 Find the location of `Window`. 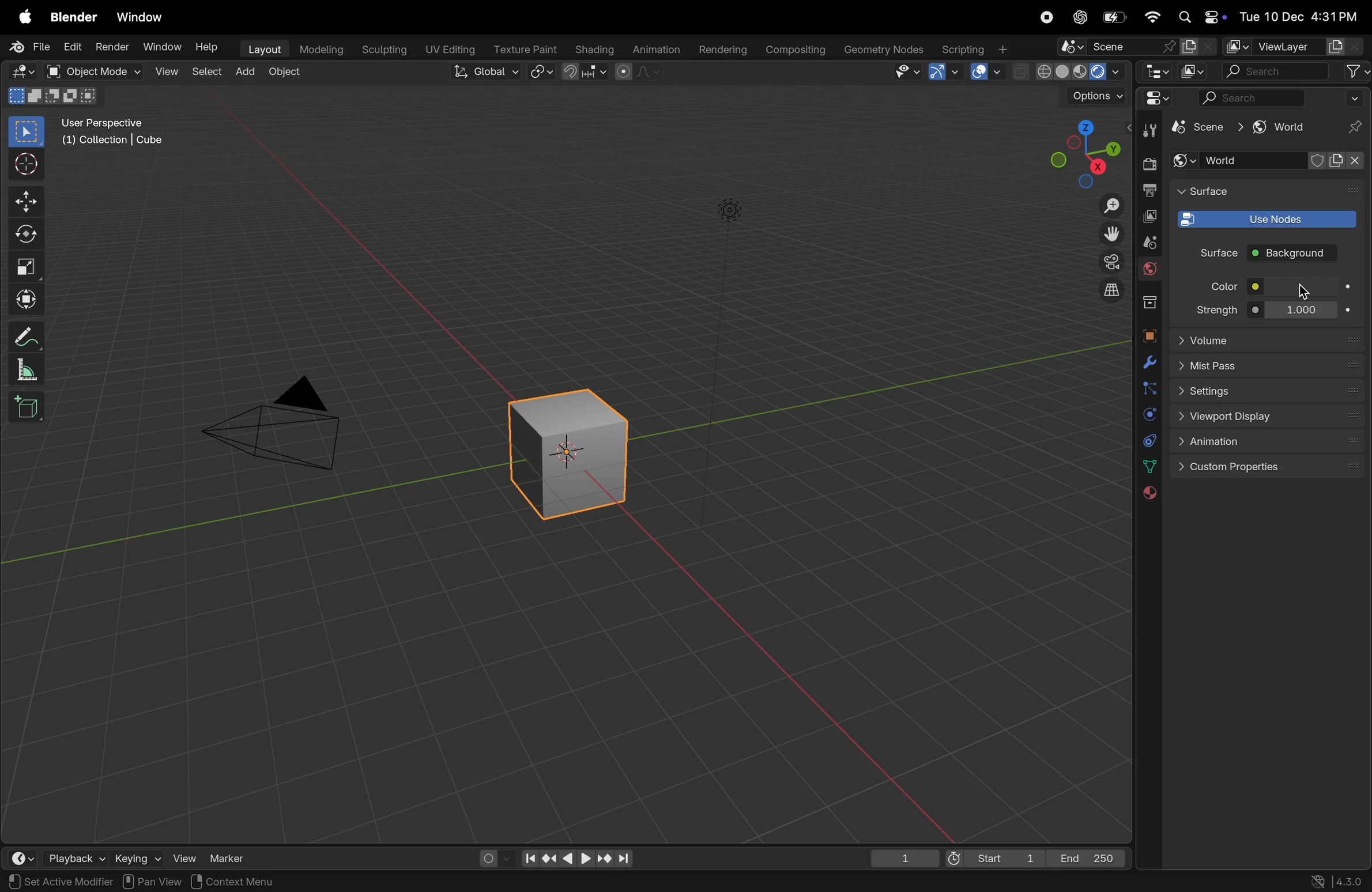

Window is located at coordinates (144, 16).